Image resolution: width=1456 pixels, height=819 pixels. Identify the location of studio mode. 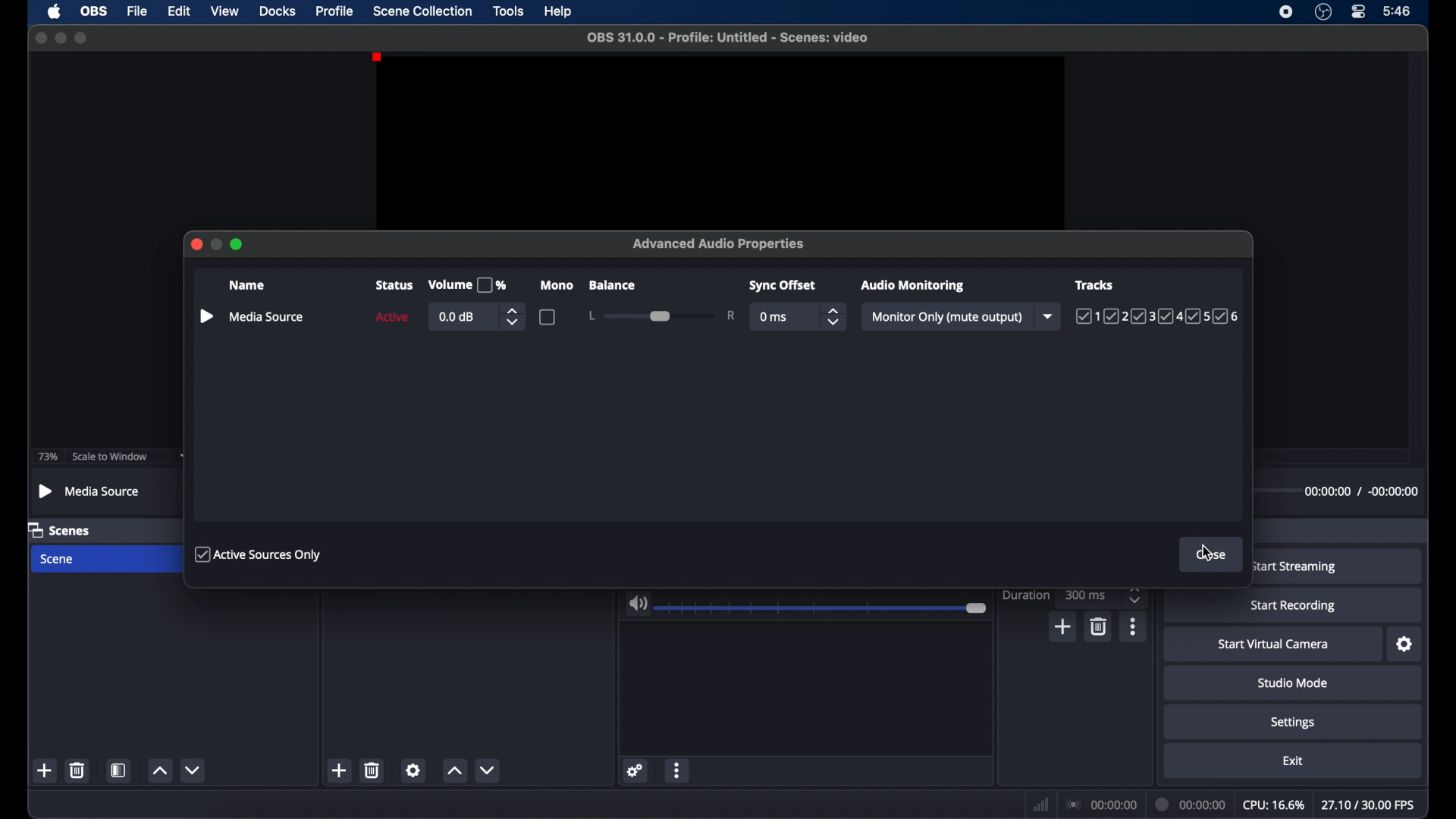
(1292, 682).